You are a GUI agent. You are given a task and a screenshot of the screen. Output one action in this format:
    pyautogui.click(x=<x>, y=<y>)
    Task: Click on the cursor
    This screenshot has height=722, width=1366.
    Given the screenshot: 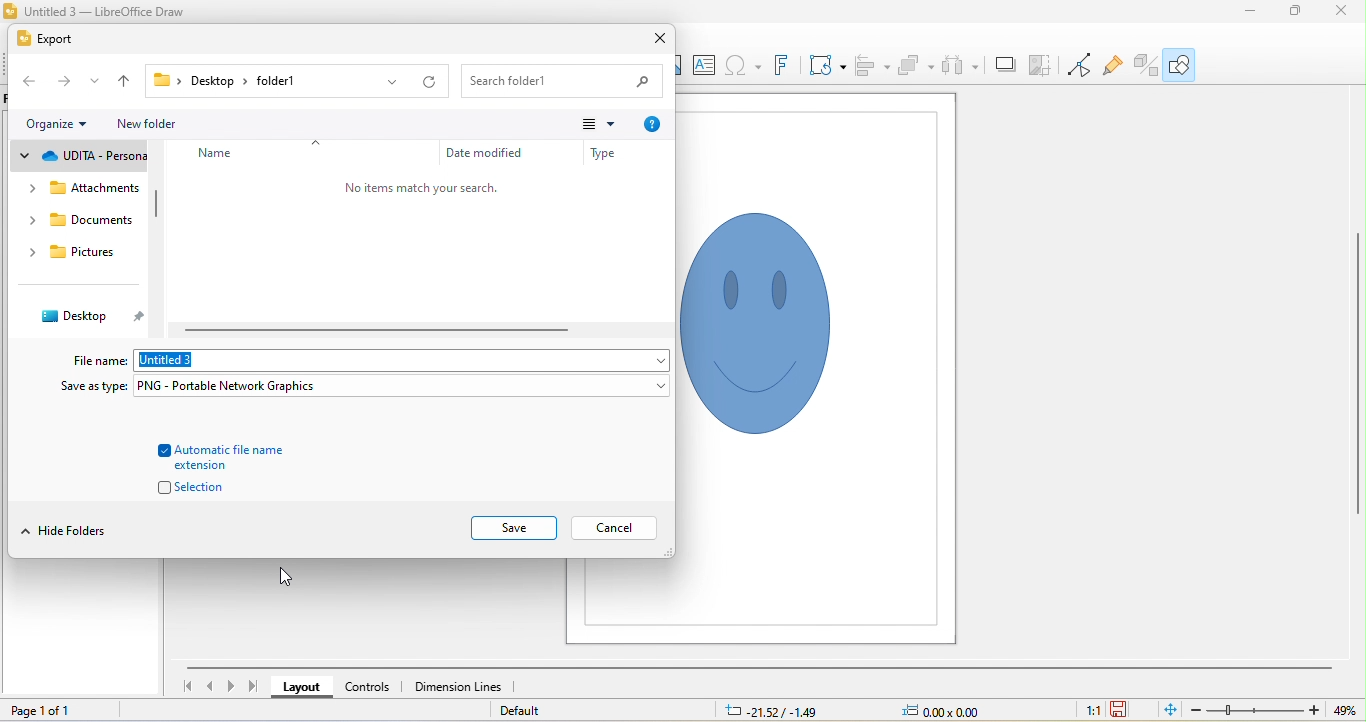 What is the action you would take?
    pyautogui.click(x=288, y=576)
    